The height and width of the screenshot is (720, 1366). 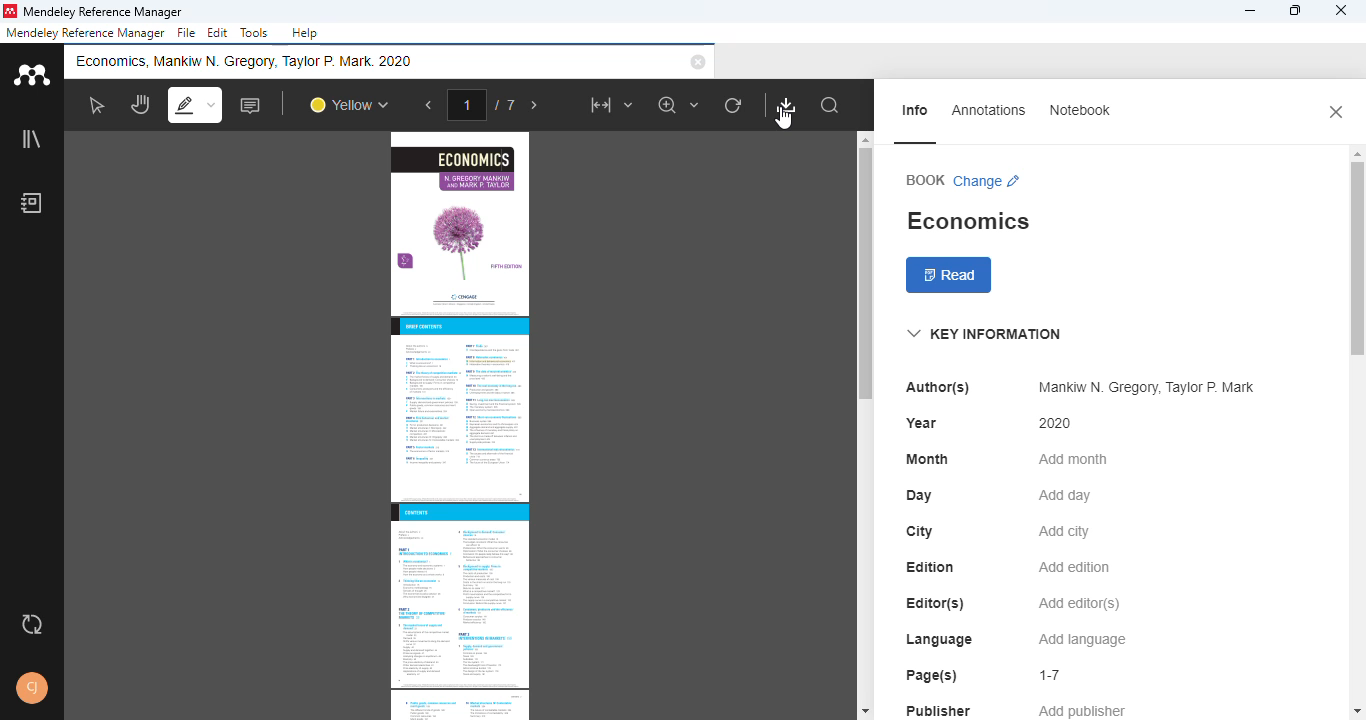 I want to click on notebook, so click(x=31, y=202).